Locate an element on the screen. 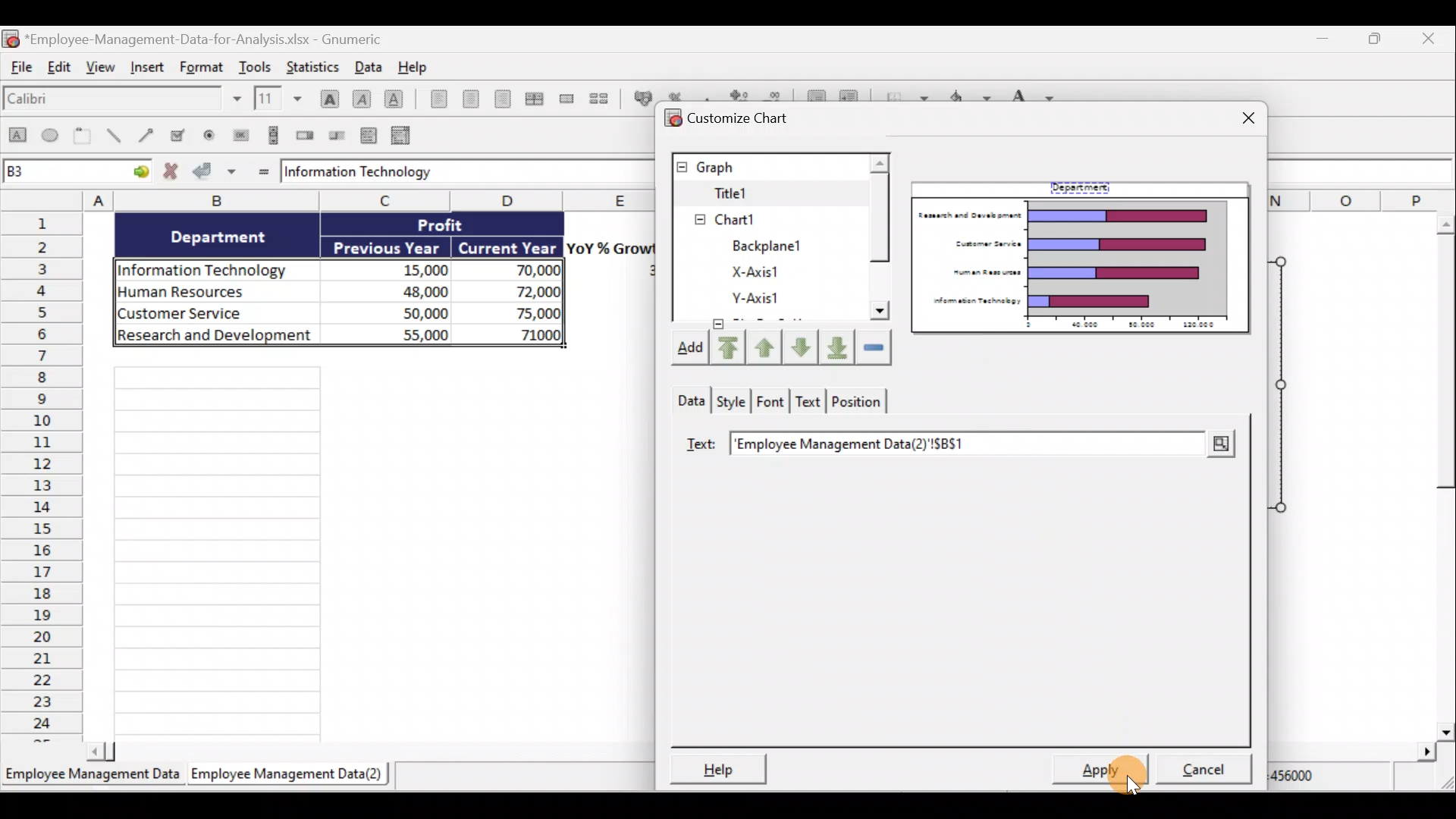 This screenshot has width=1456, height=819. Data is located at coordinates (687, 402).